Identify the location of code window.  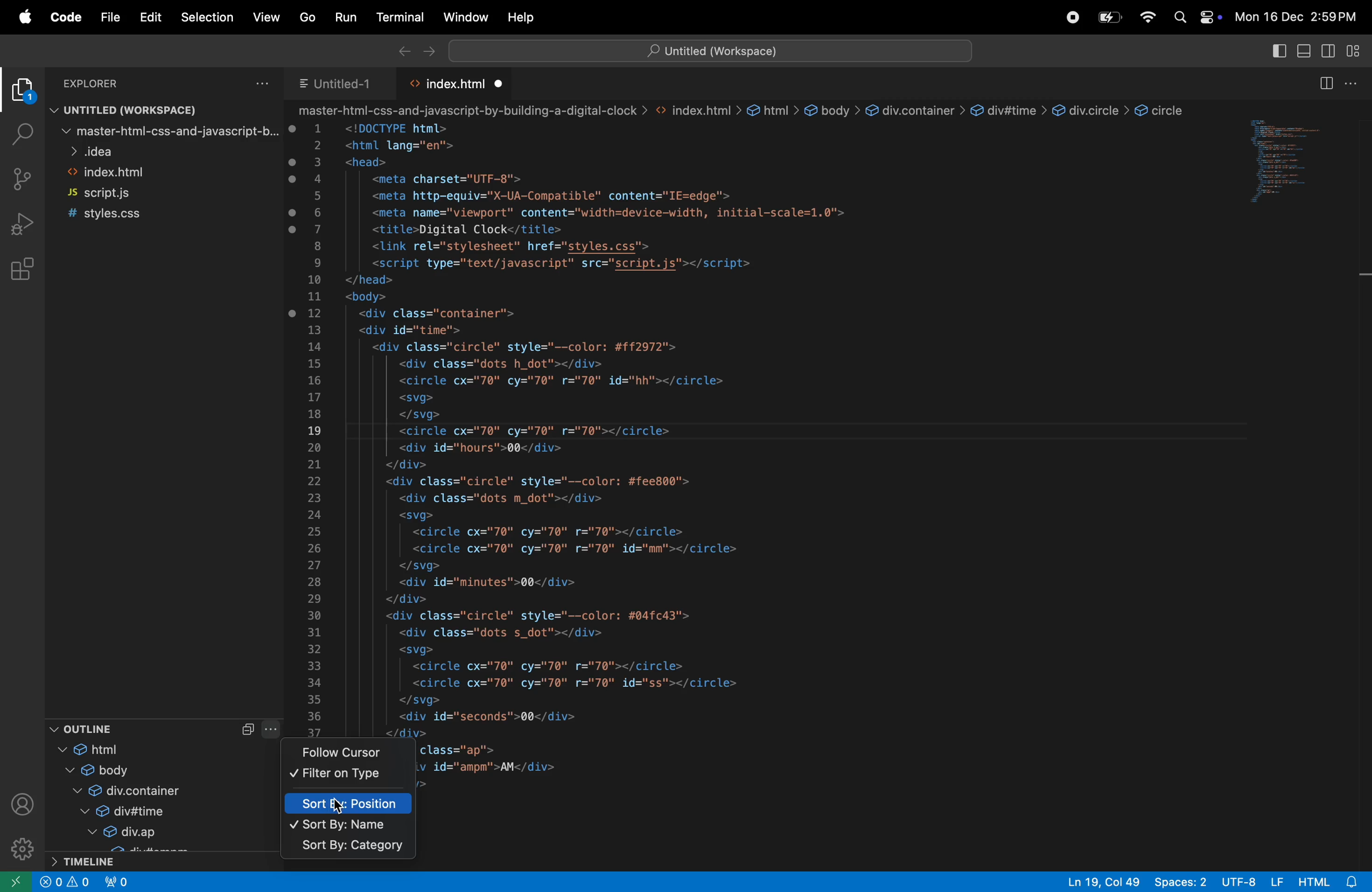
(1299, 158).